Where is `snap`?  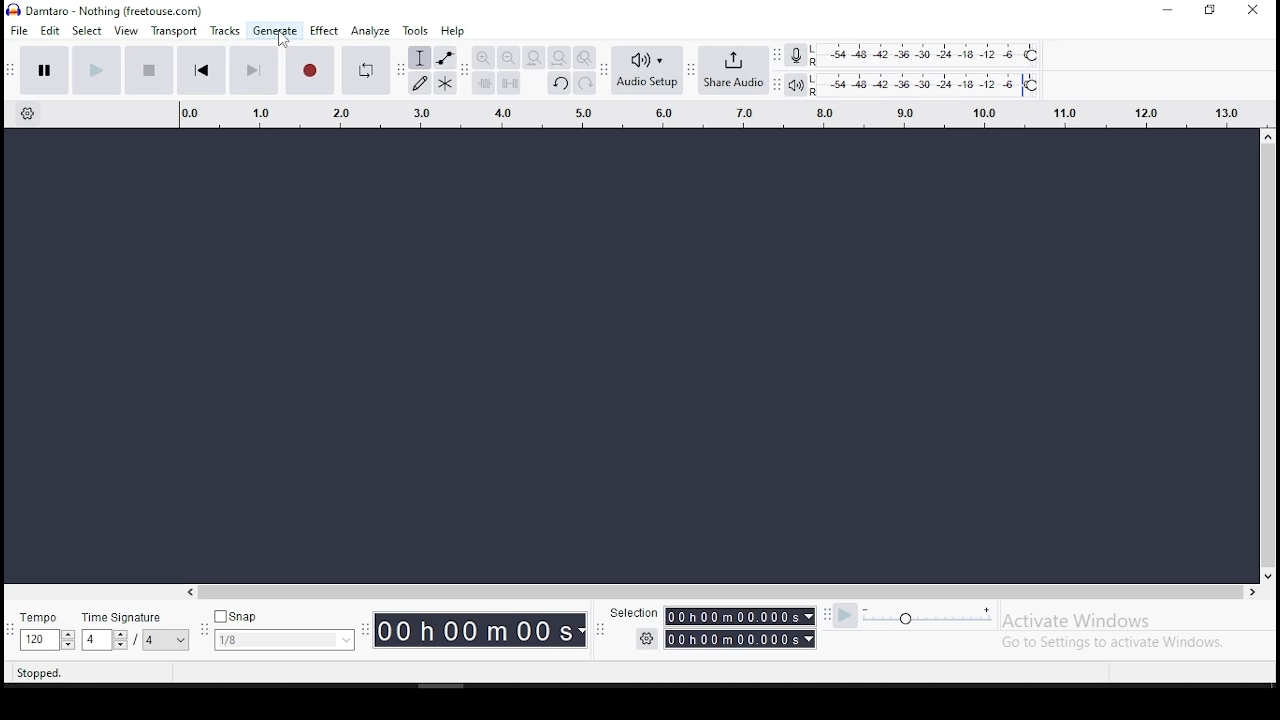 snap is located at coordinates (284, 629).